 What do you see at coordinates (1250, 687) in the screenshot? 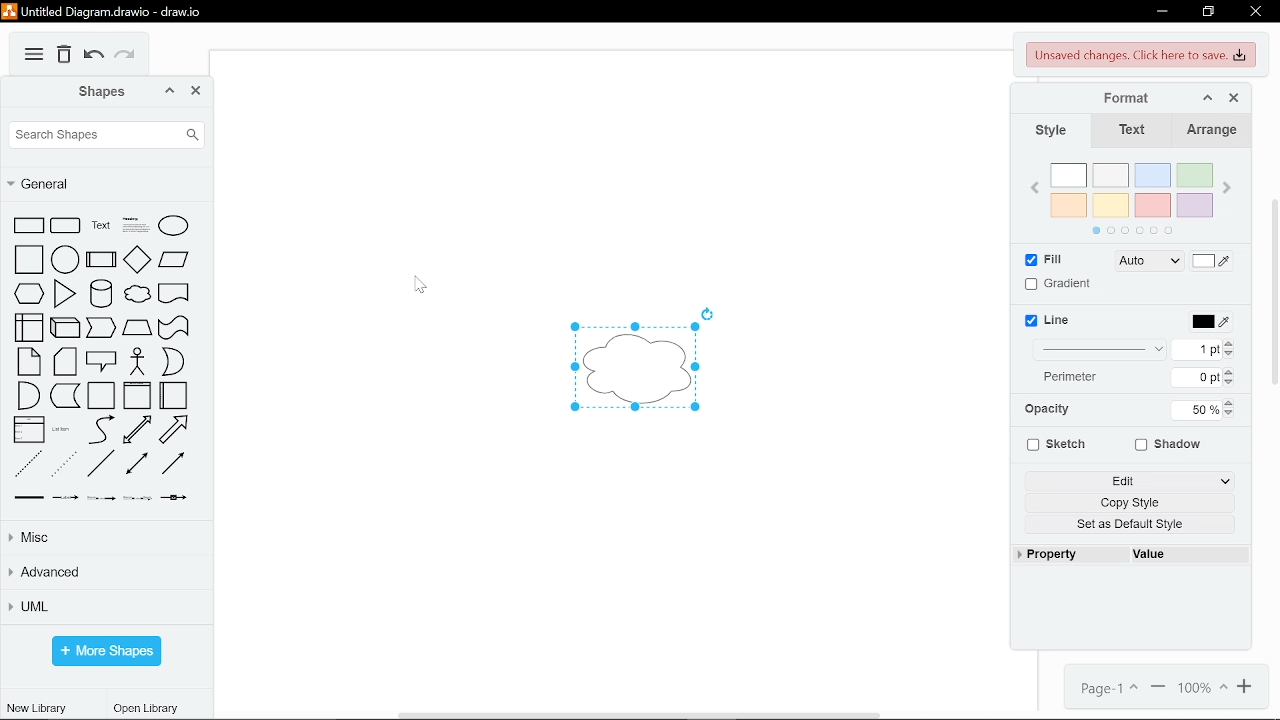
I see `zoom in` at bounding box center [1250, 687].